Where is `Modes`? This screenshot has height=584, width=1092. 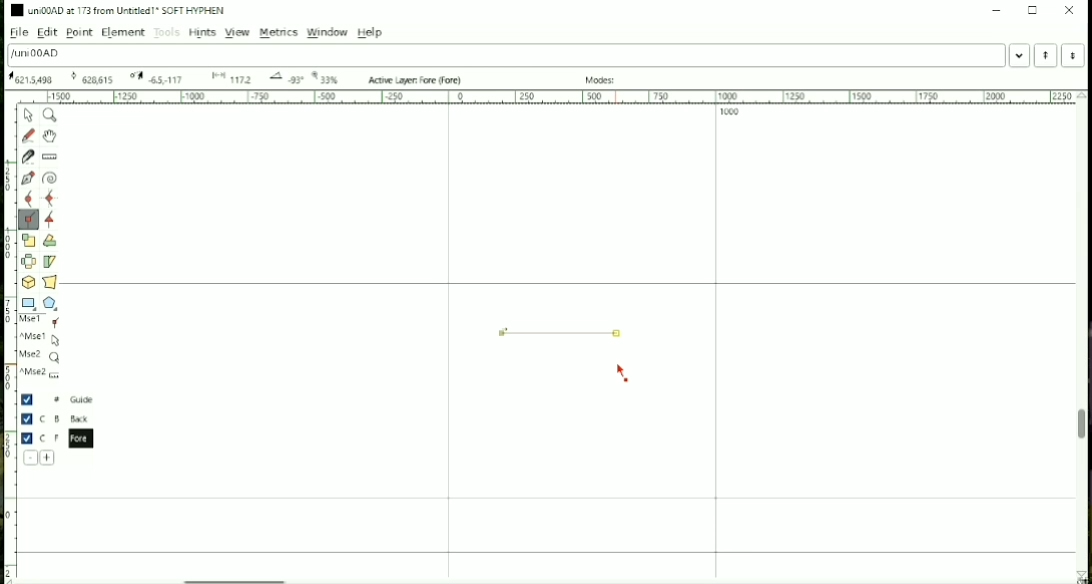 Modes is located at coordinates (603, 80).